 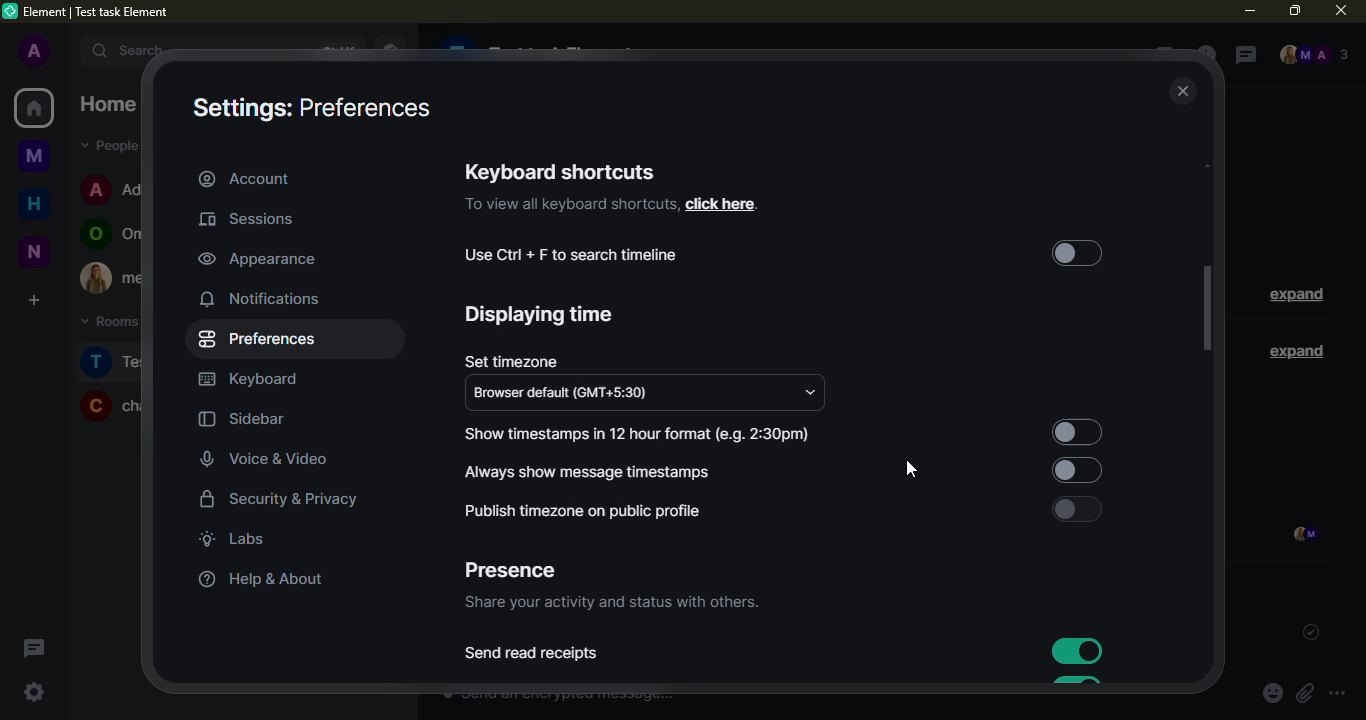 I want to click on enable, so click(x=1074, y=426).